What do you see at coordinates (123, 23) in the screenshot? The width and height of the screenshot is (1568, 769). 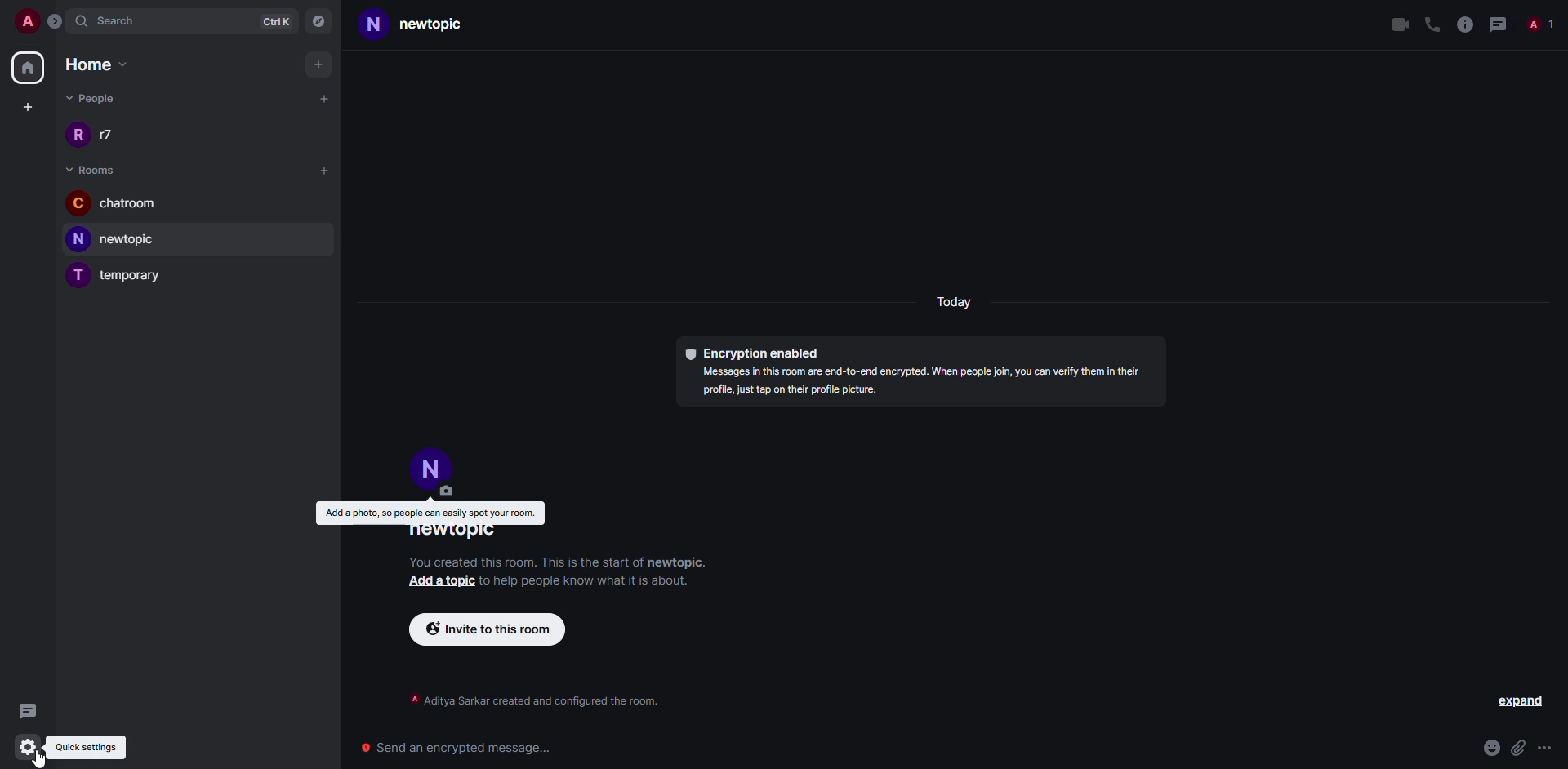 I see `search` at bounding box center [123, 23].